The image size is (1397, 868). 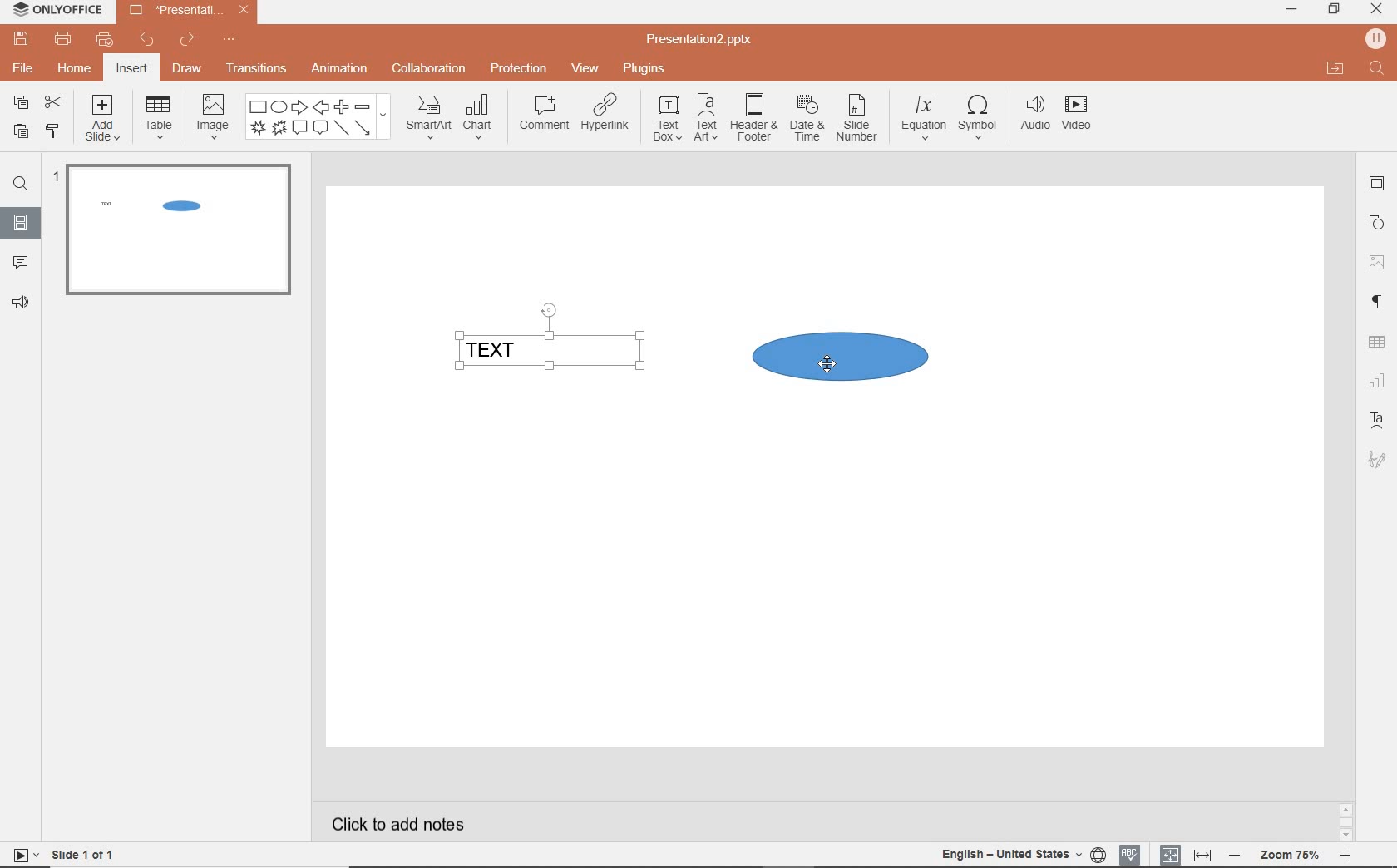 What do you see at coordinates (22, 221) in the screenshot?
I see `SLIDES` at bounding box center [22, 221].